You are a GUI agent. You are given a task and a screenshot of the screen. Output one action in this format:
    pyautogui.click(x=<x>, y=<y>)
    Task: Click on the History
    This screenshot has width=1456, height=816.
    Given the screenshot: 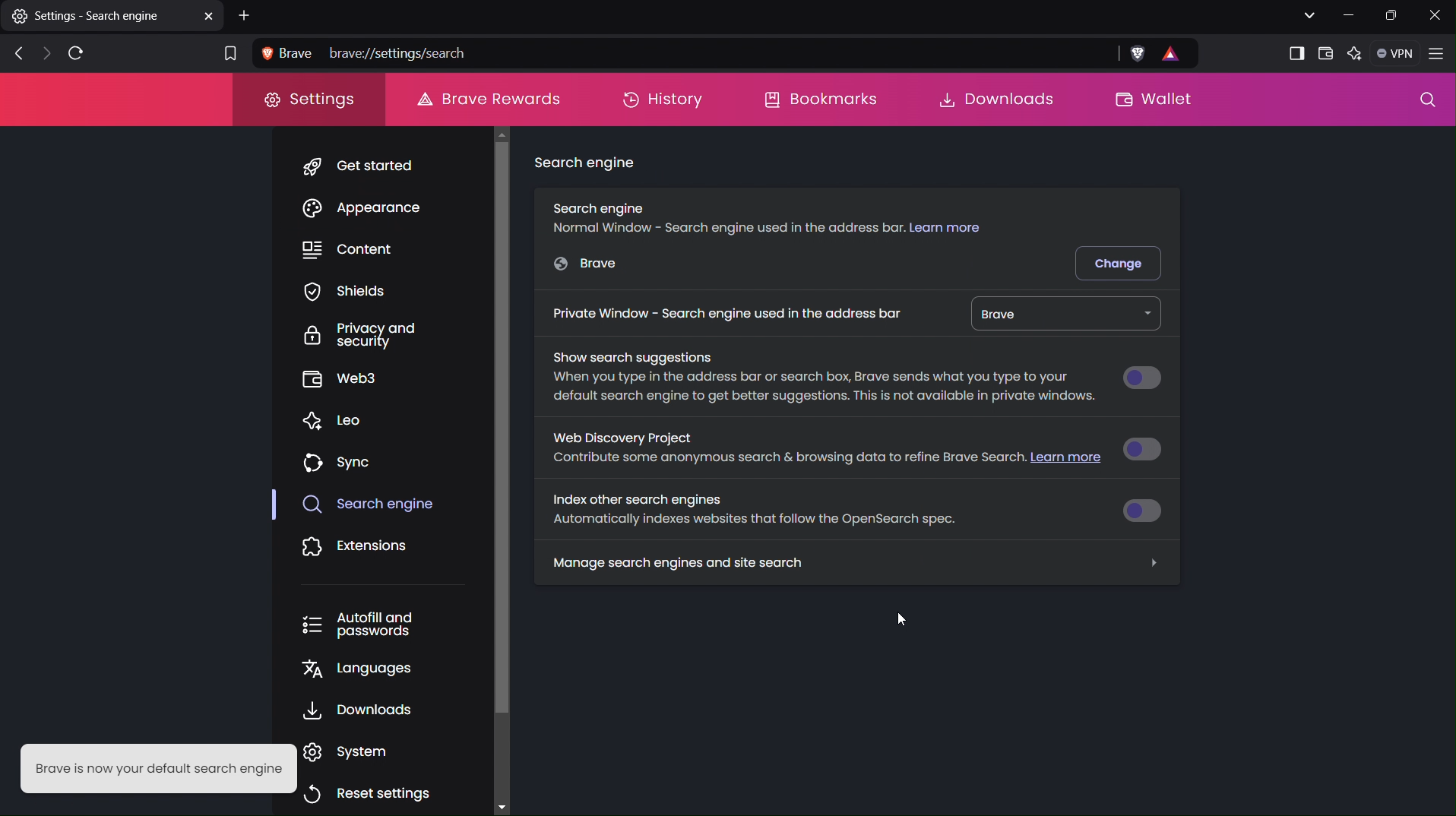 What is the action you would take?
    pyautogui.click(x=663, y=99)
    